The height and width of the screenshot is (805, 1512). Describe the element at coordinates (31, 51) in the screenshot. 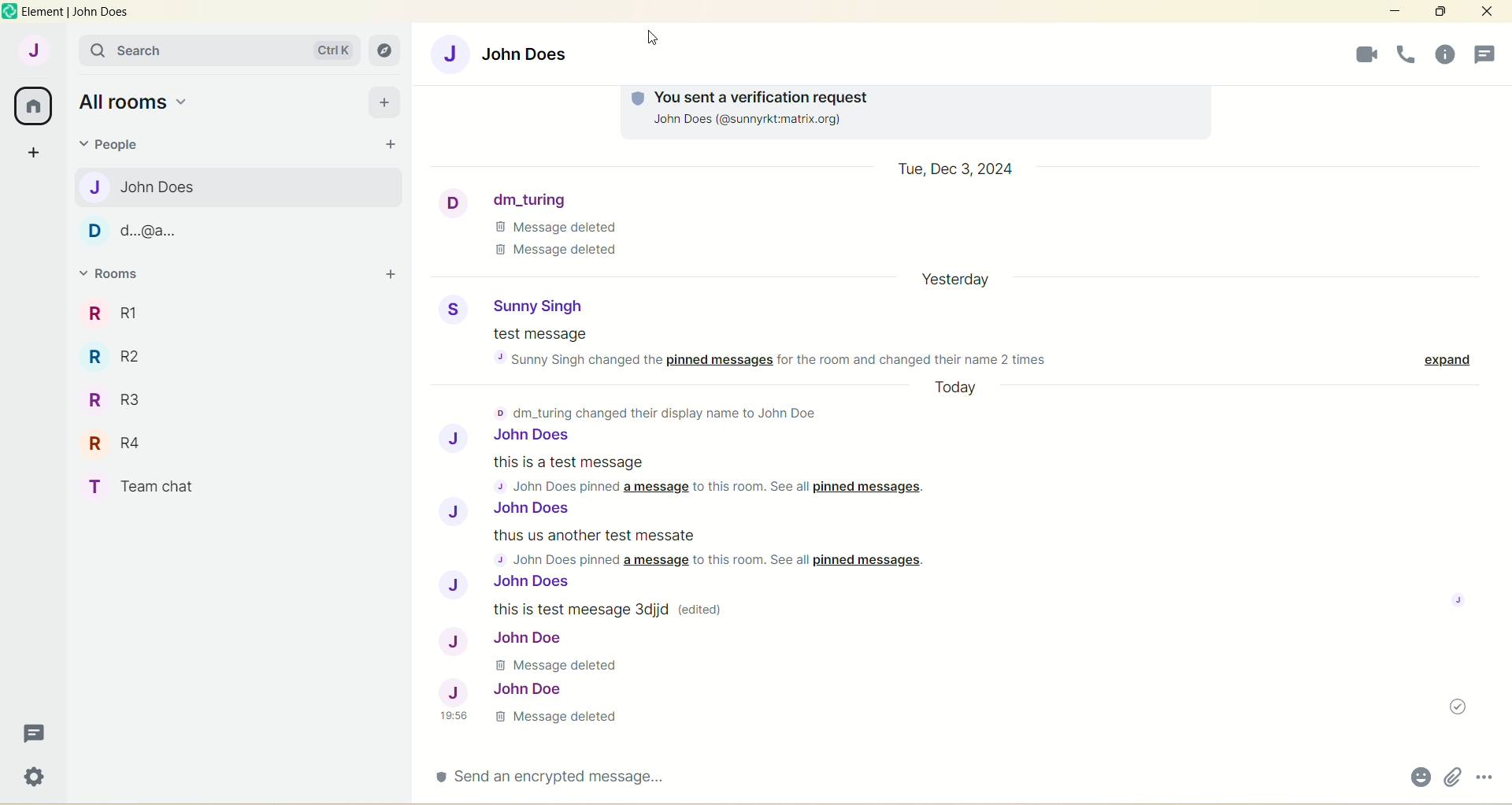

I see `account J` at that location.